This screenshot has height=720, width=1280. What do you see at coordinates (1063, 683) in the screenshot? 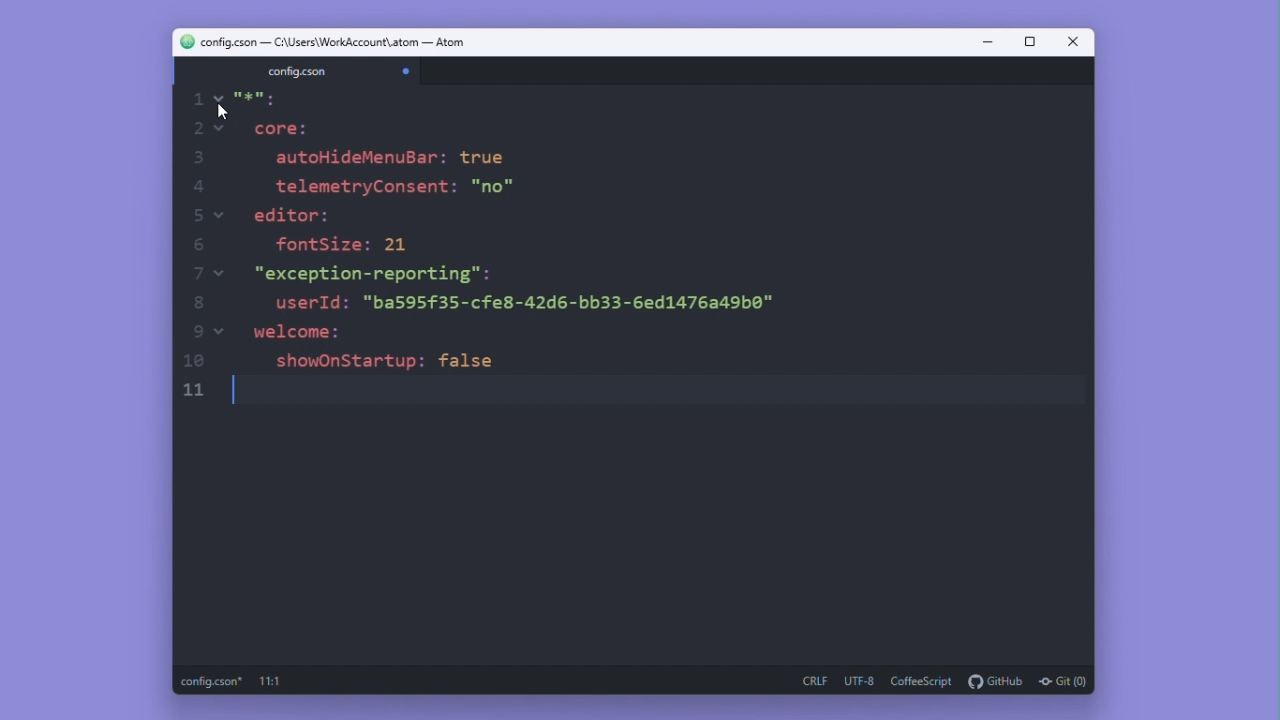
I see `git (0)` at bounding box center [1063, 683].